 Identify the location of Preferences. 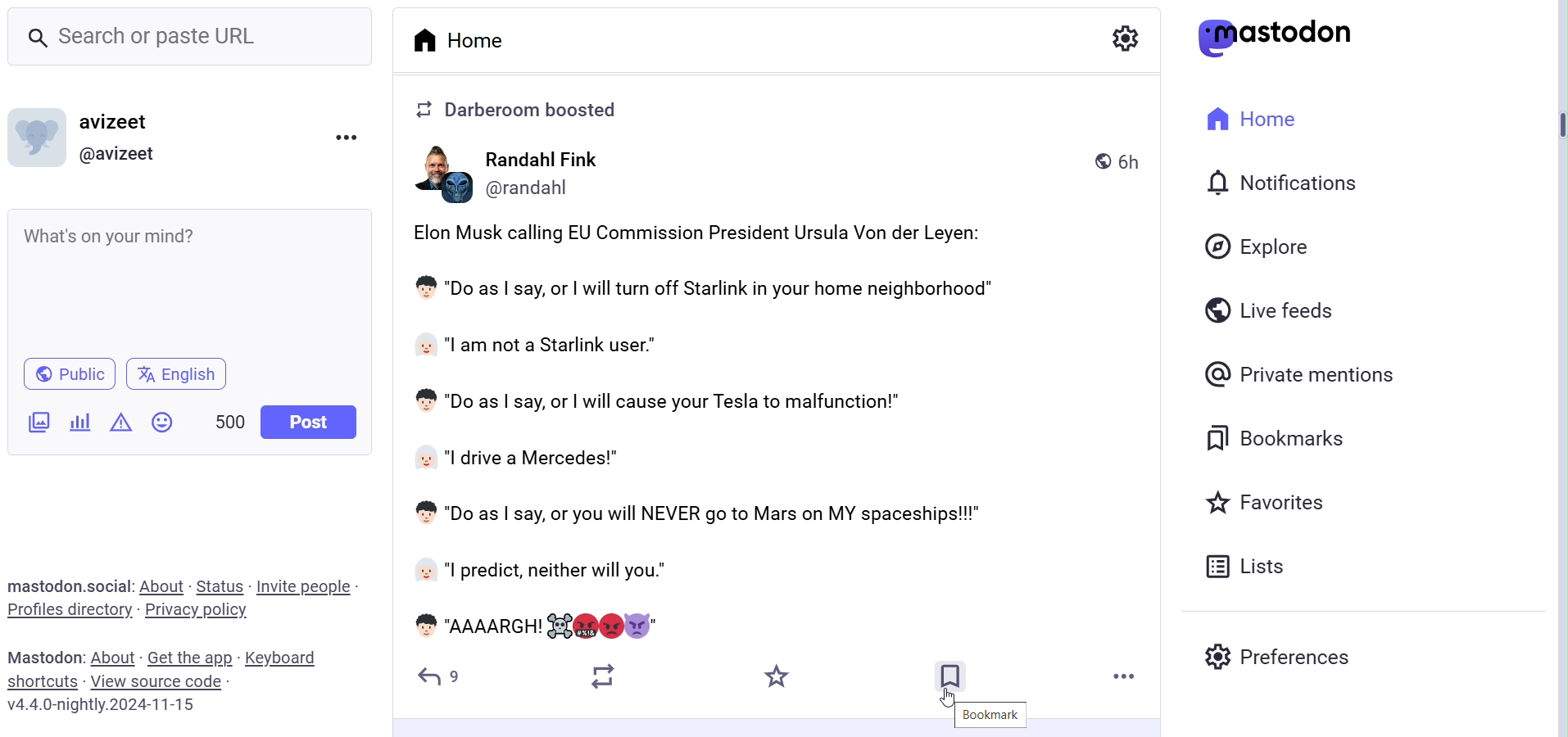
(1285, 659).